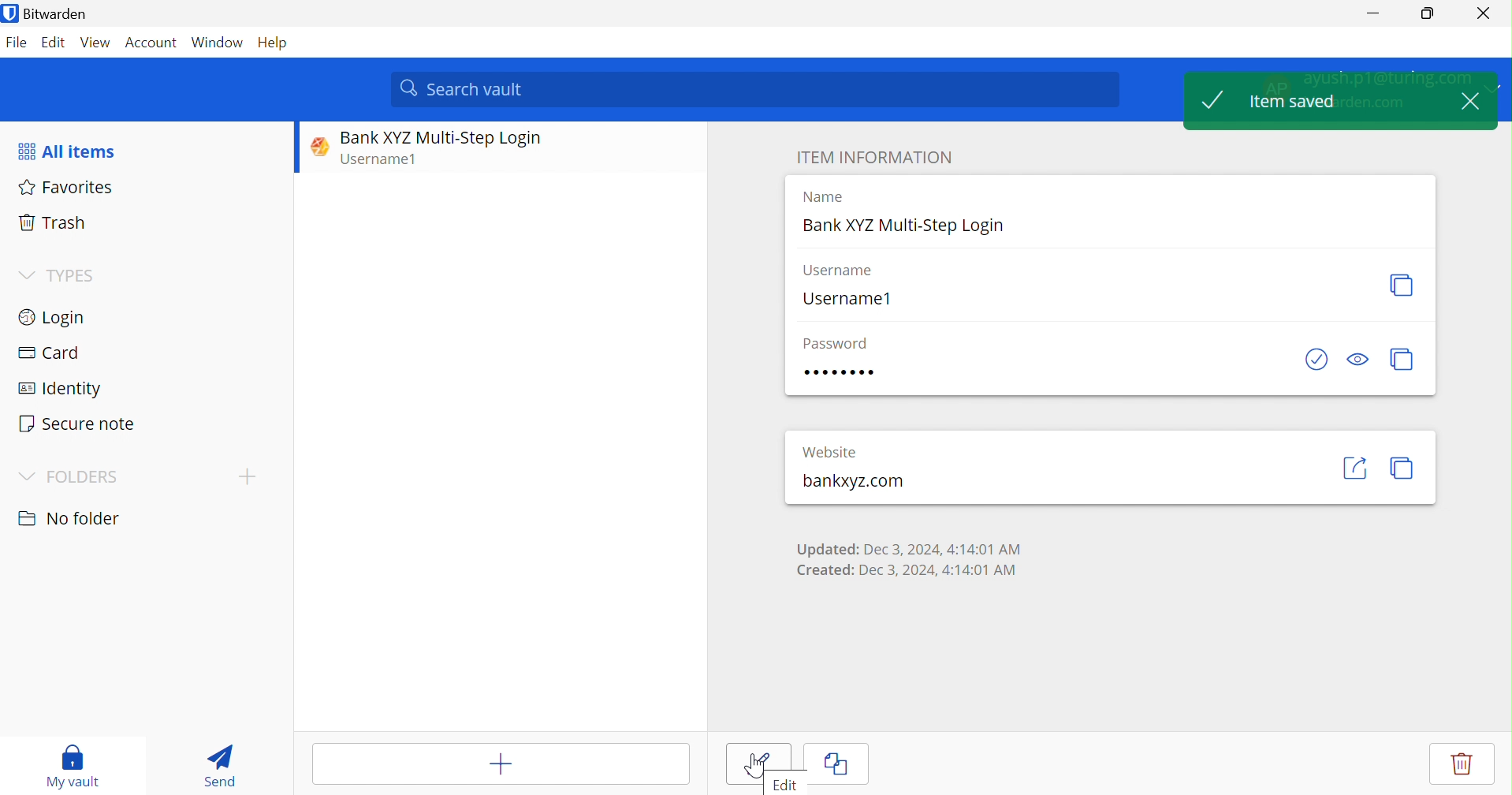  I want to click on Username, so click(831, 271).